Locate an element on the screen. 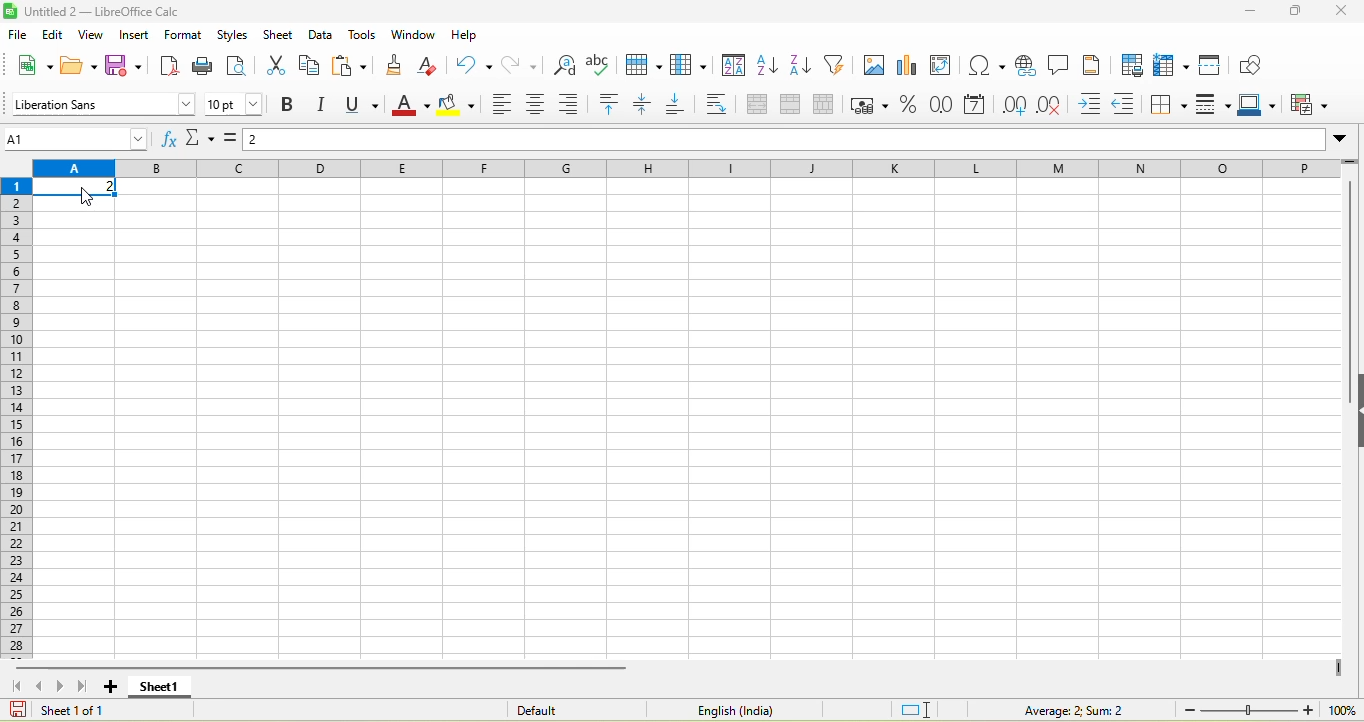  format as number is located at coordinates (944, 106).